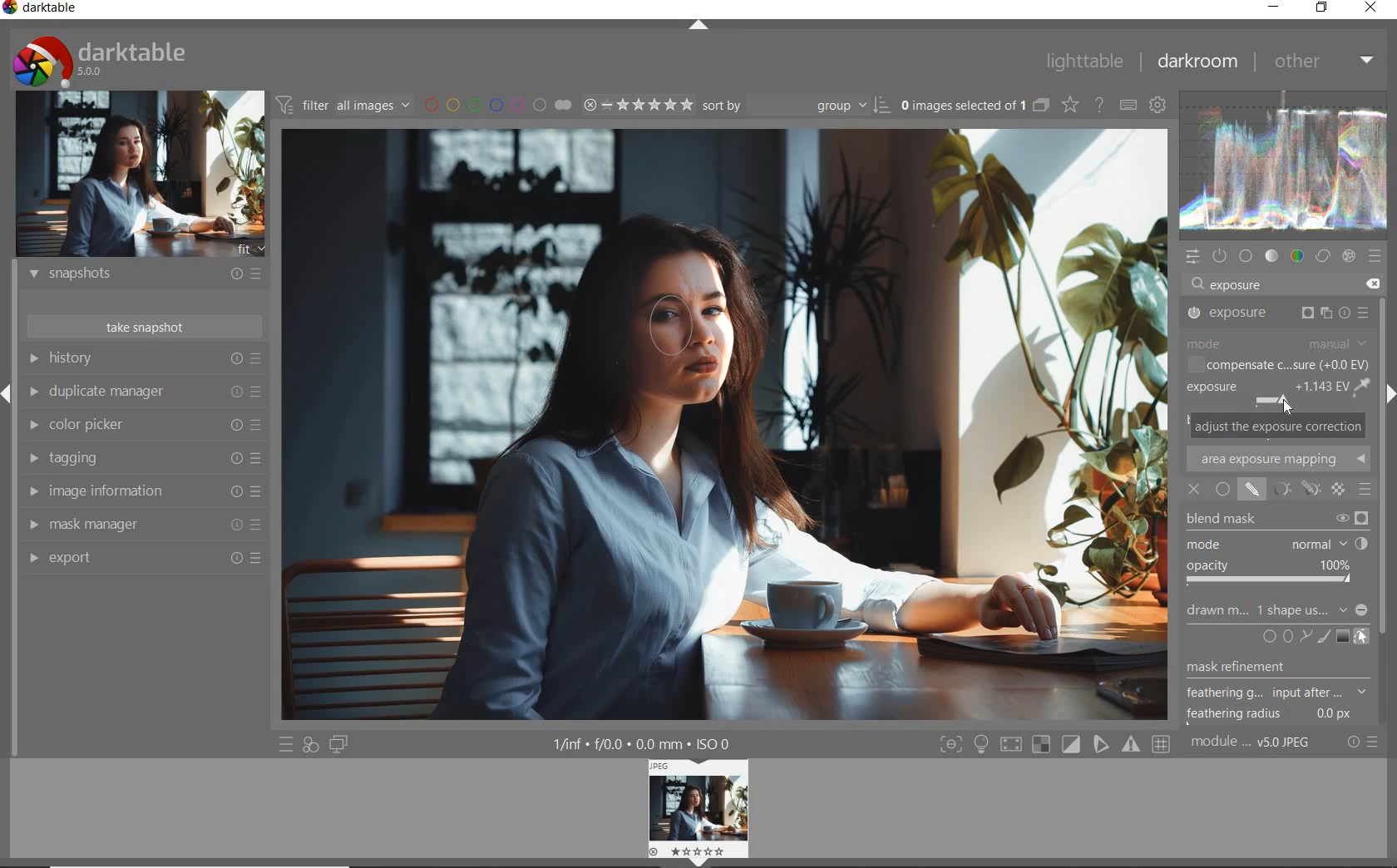 The width and height of the screenshot is (1397, 868). What do you see at coordinates (638, 105) in the screenshot?
I see `range rating of selected images` at bounding box center [638, 105].